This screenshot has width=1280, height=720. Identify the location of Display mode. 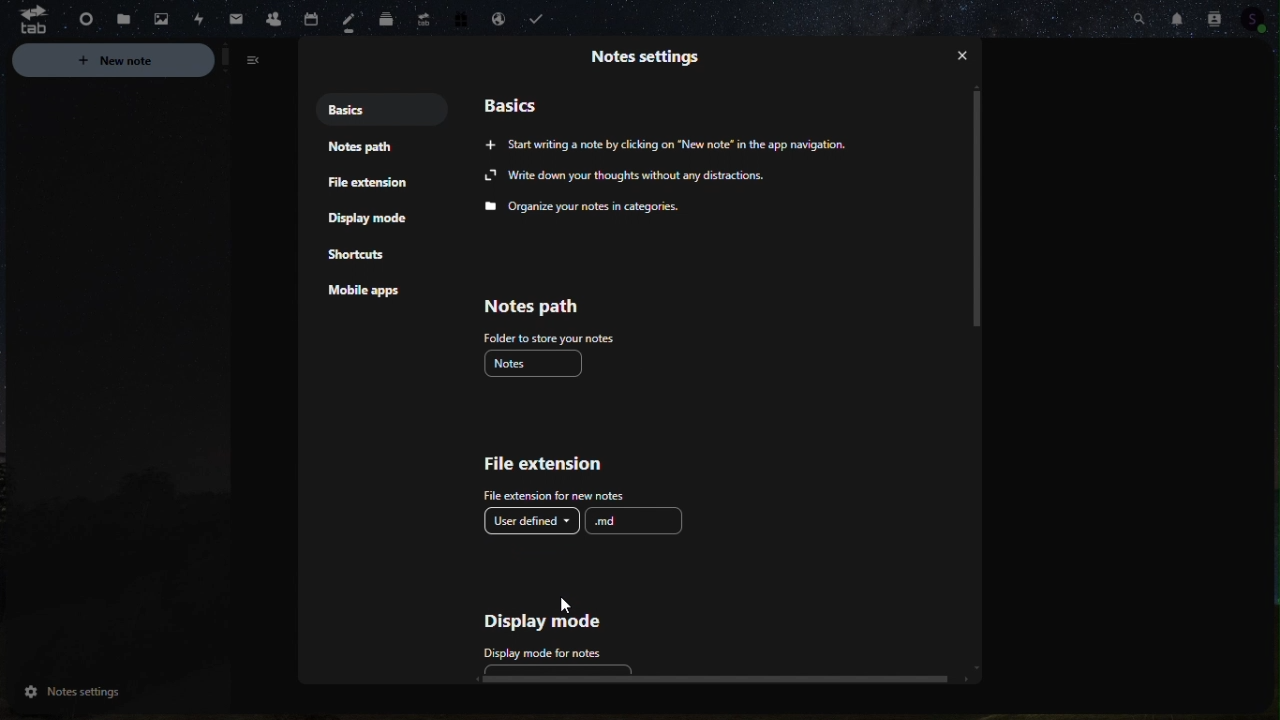
(546, 638).